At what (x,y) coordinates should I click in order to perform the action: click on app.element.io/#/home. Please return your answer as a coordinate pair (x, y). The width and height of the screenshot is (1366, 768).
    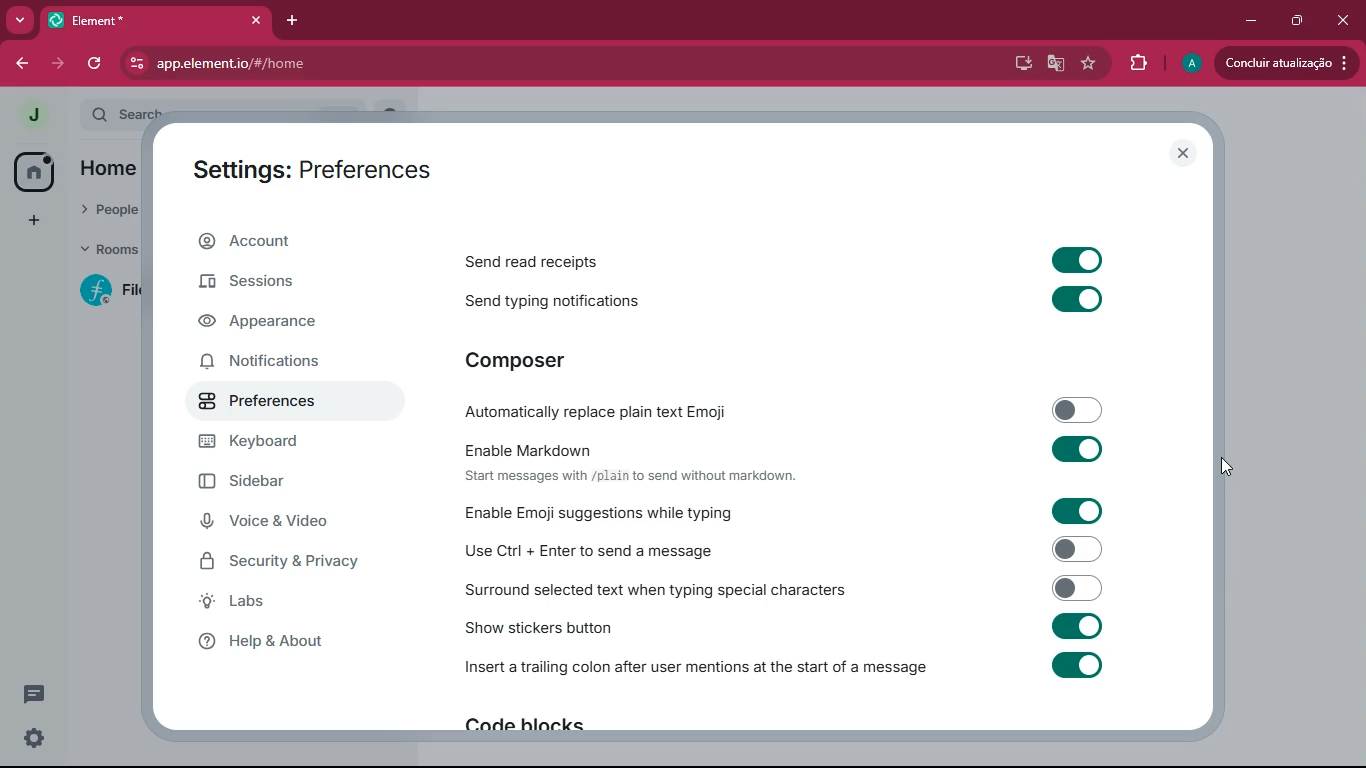
    Looking at the image, I should click on (365, 63).